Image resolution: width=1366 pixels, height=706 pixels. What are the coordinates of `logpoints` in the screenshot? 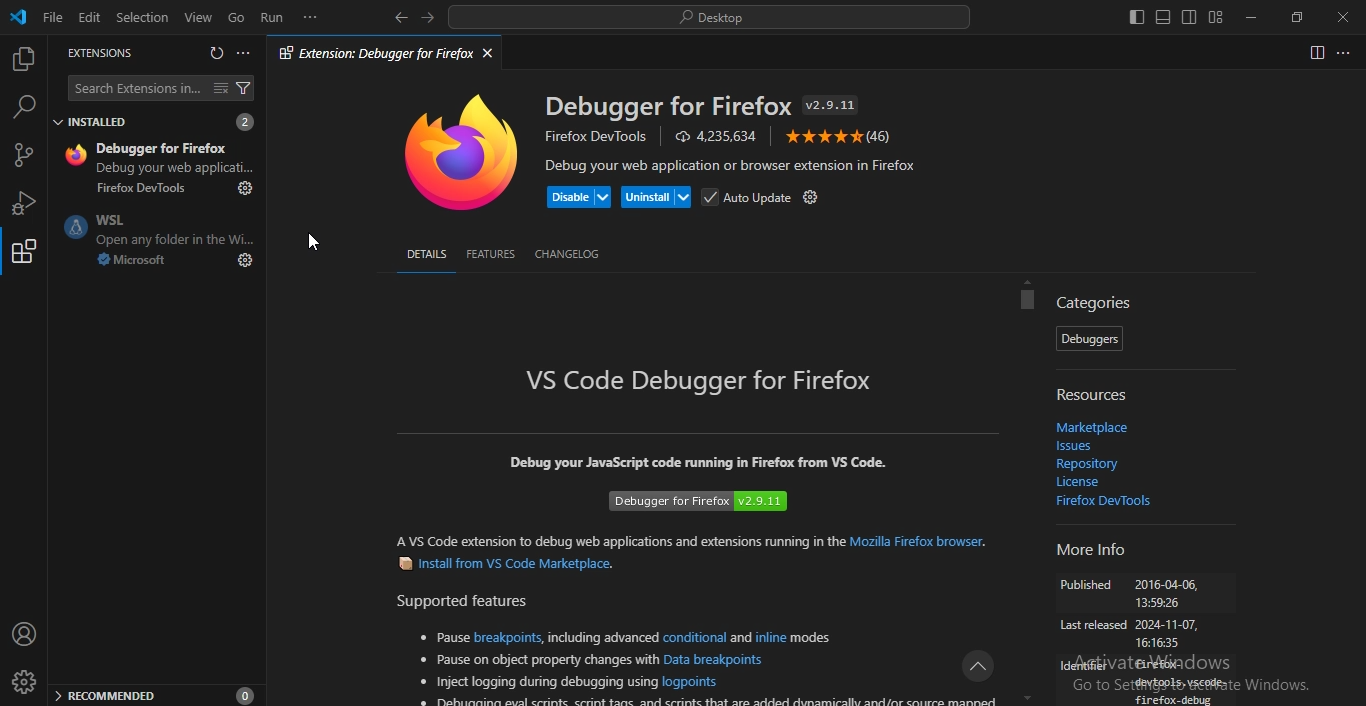 It's located at (689, 682).